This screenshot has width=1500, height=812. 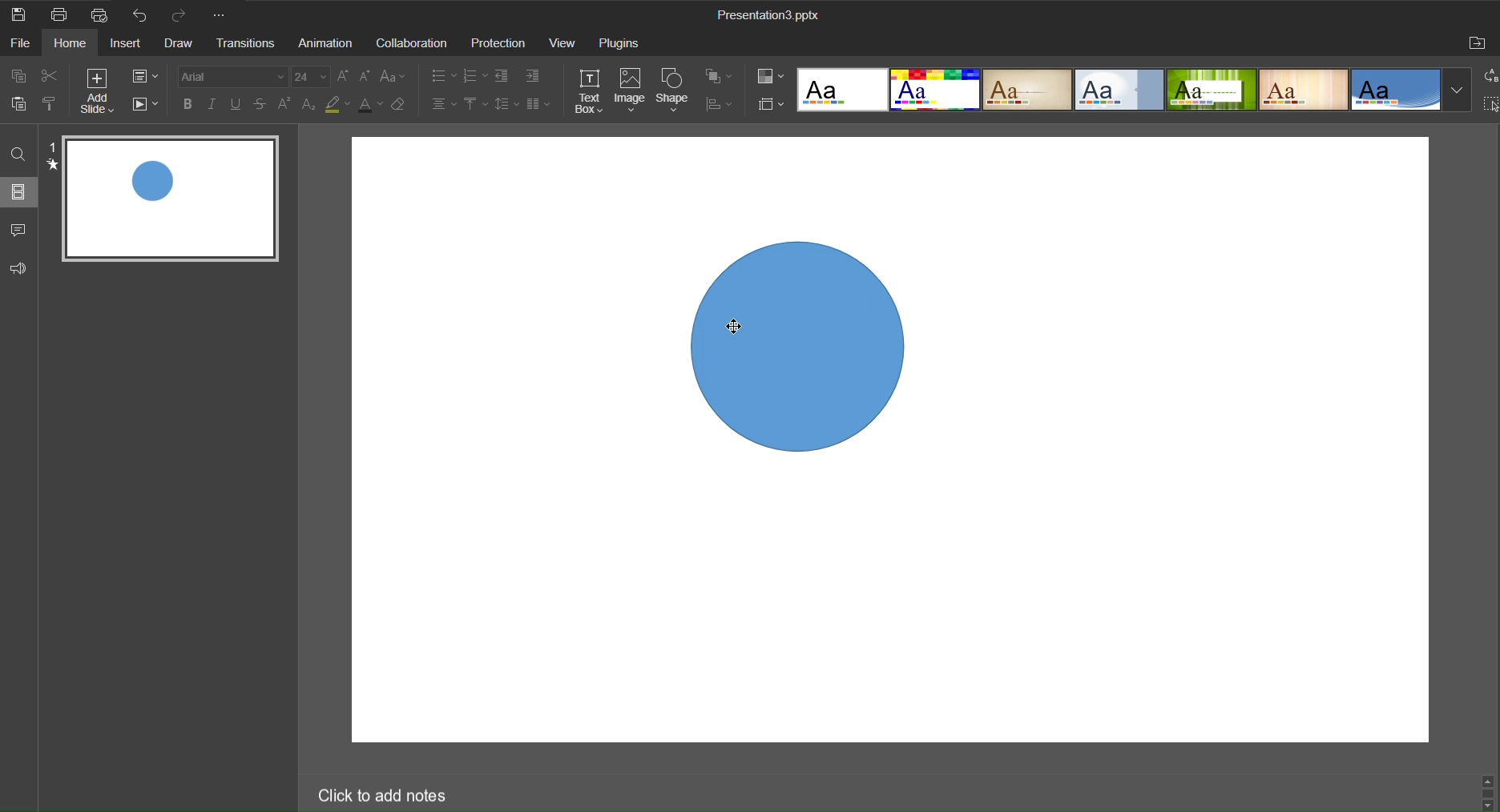 What do you see at coordinates (329, 44) in the screenshot?
I see `Animation` at bounding box center [329, 44].